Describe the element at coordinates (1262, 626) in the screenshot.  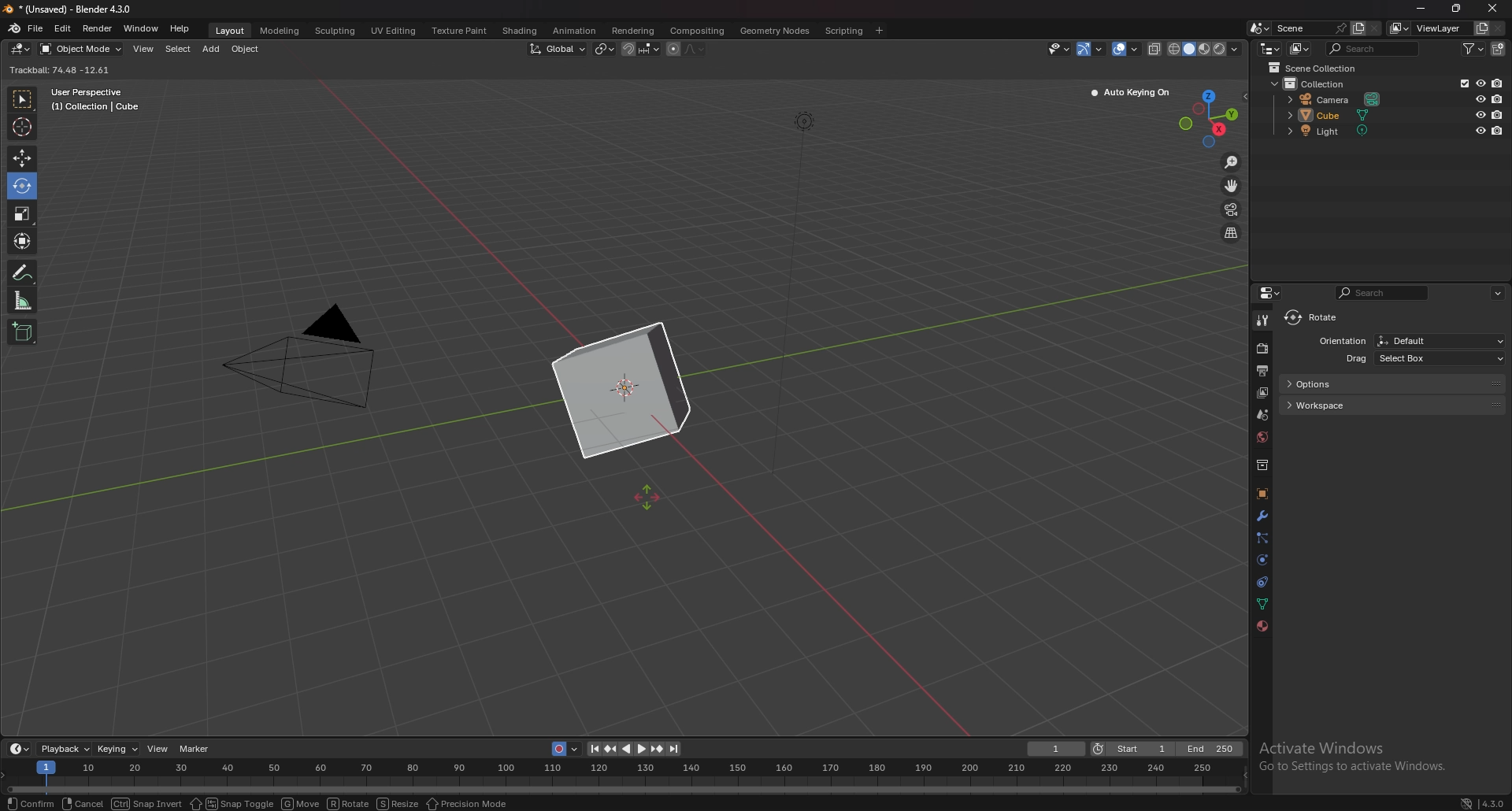
I see `material` at that location.